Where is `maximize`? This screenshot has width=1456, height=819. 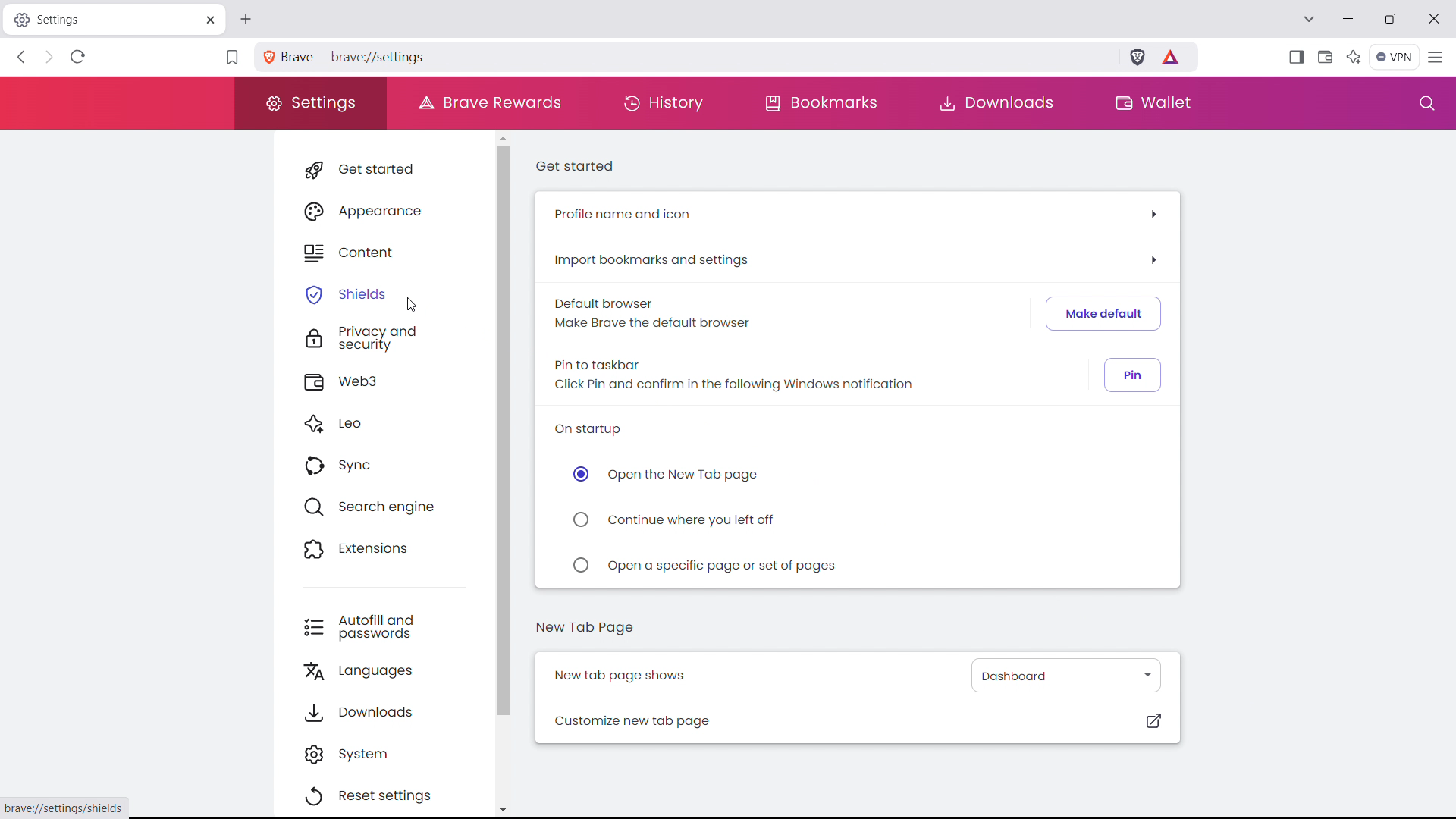 maximize is located at coordinates (1390, 20).